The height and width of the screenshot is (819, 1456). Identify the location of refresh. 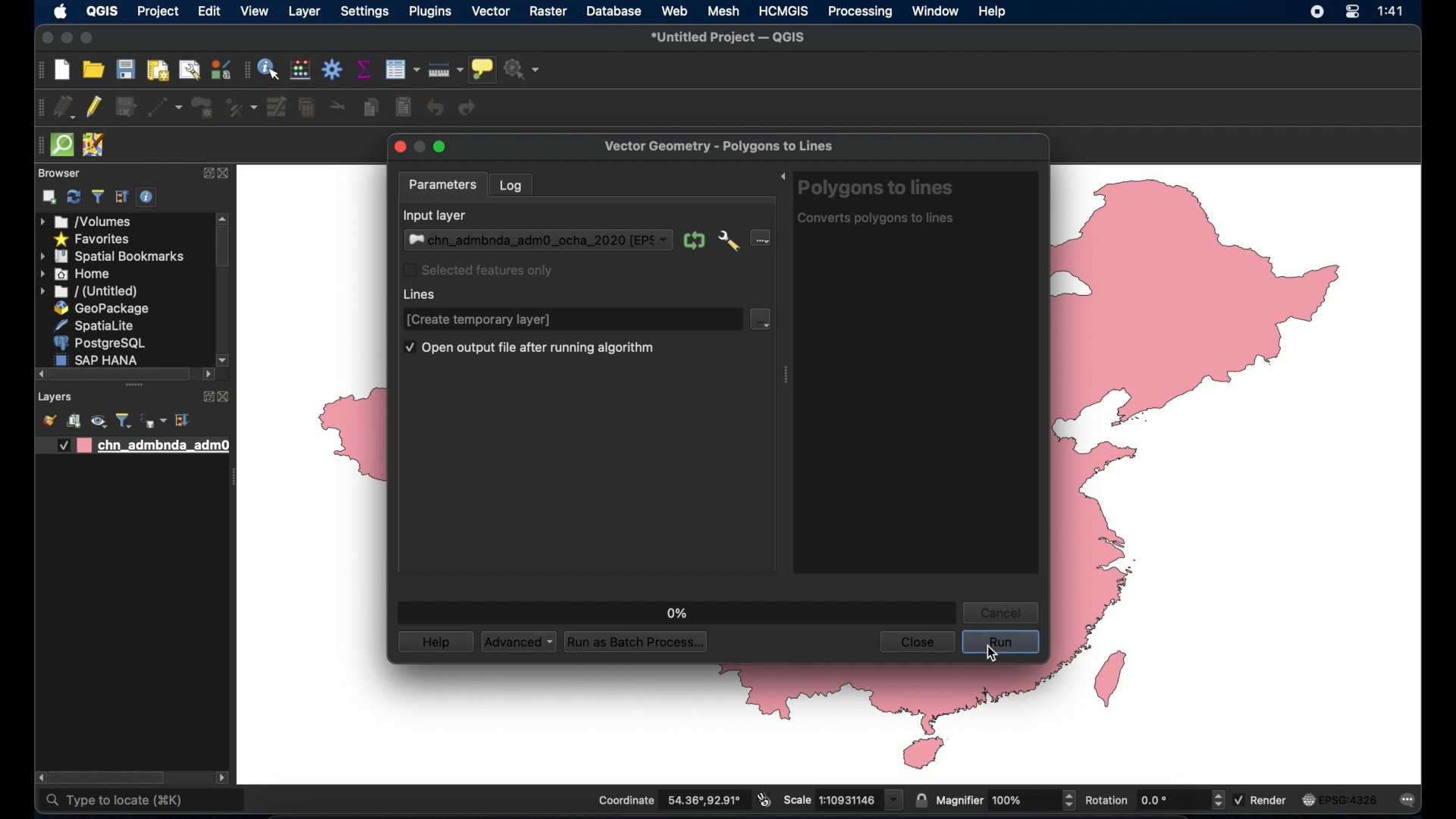
(74, 196).